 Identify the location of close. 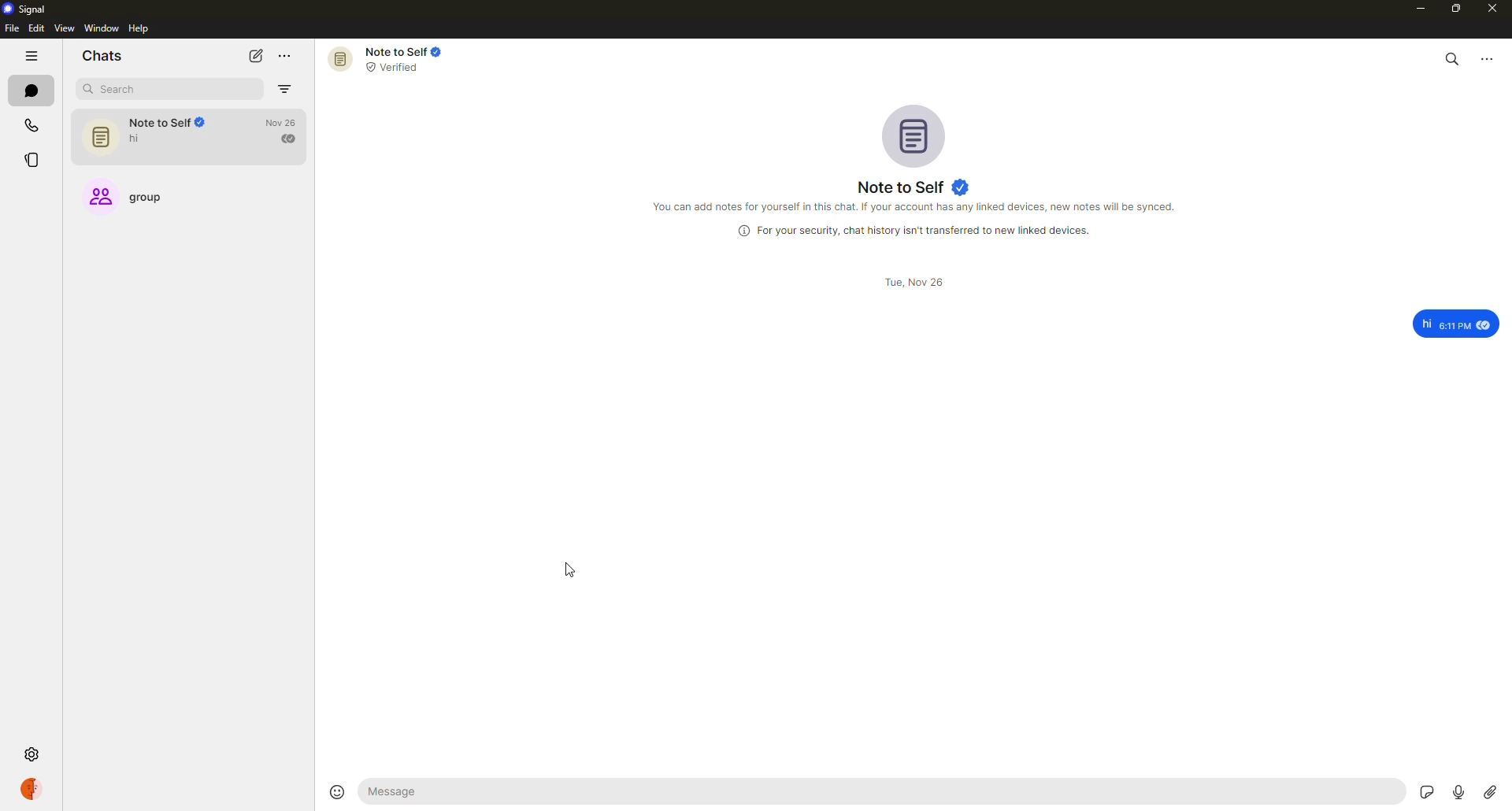
(1493, 10).